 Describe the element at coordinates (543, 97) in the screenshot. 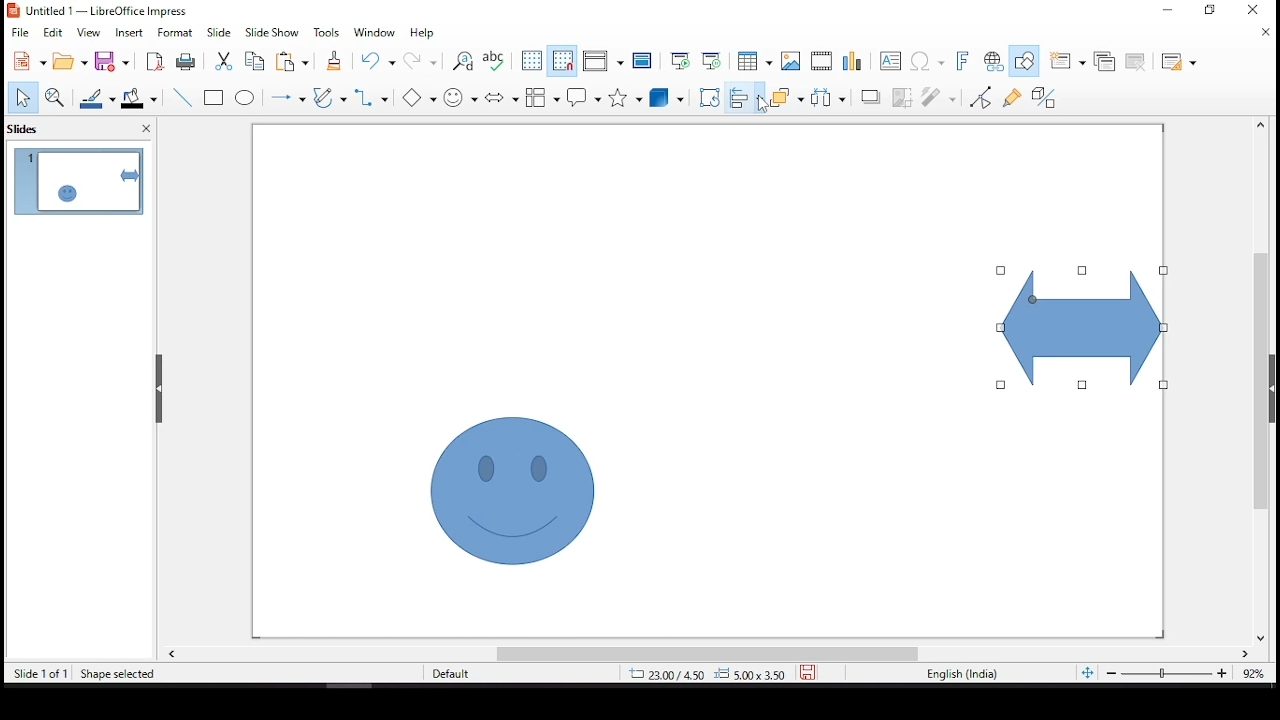

I see `flowchart` at that location.